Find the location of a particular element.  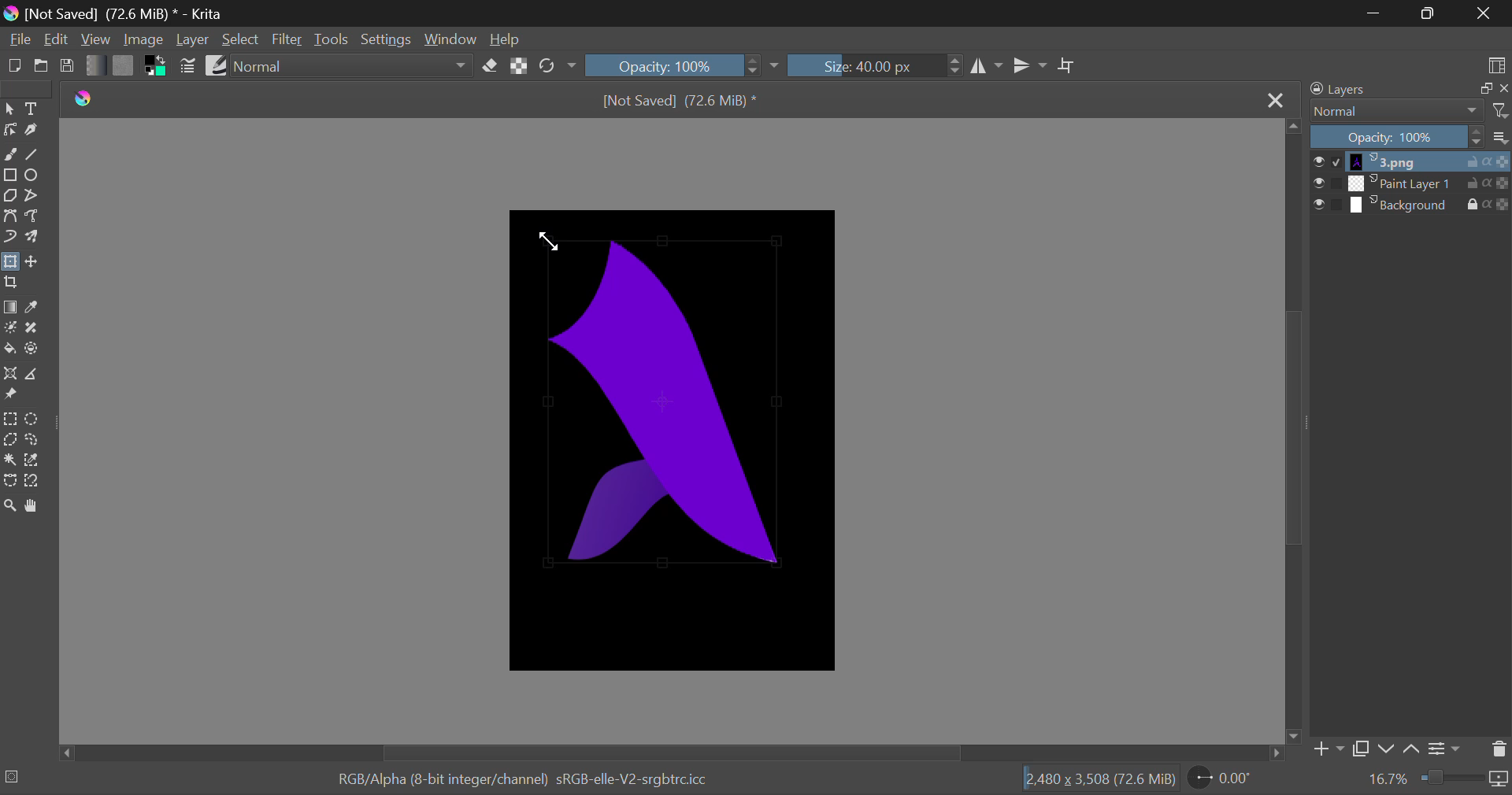

Line is located at coordinates (34, 155).